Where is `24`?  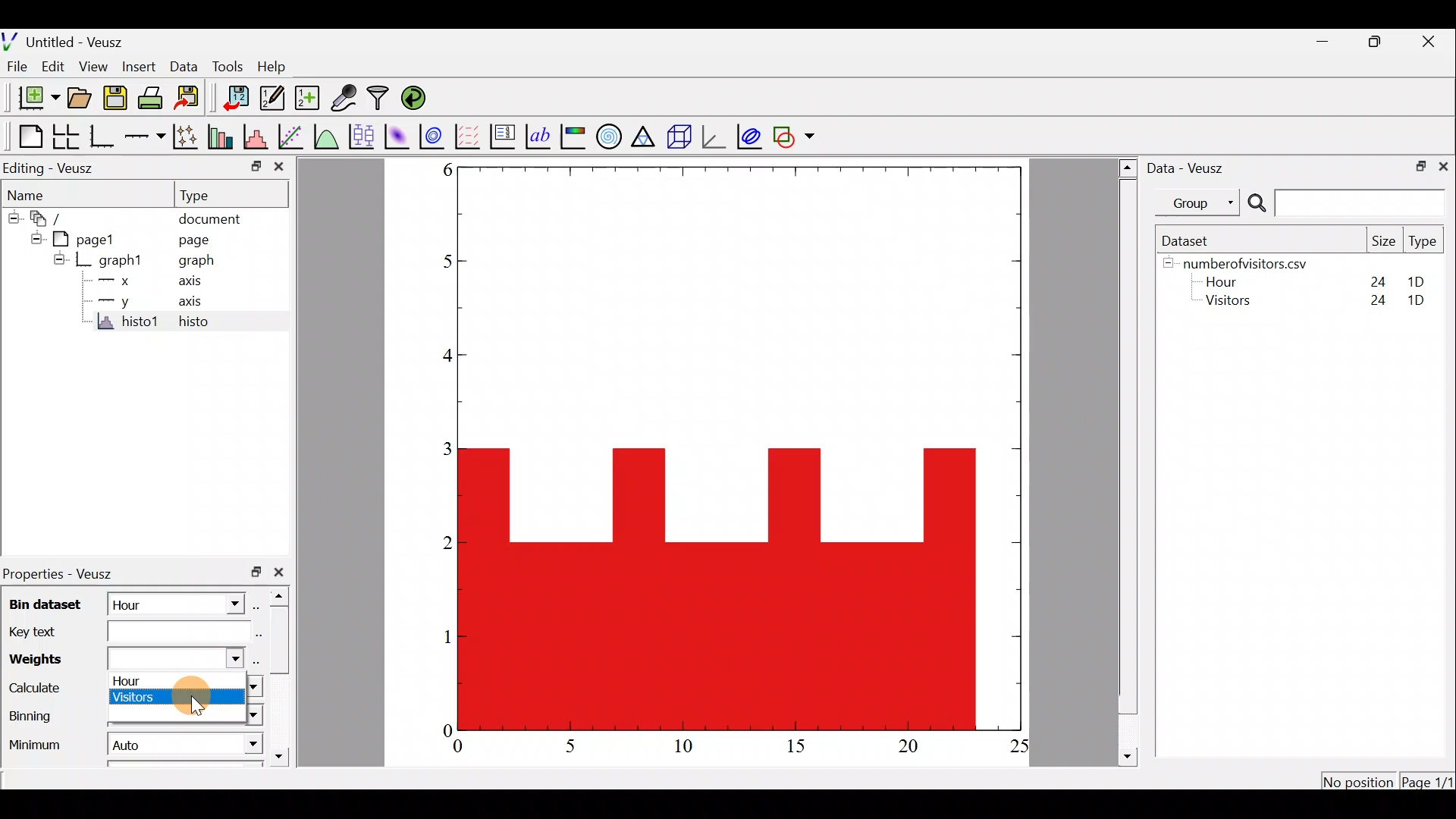
24 is located at coordinates (1370, 278).